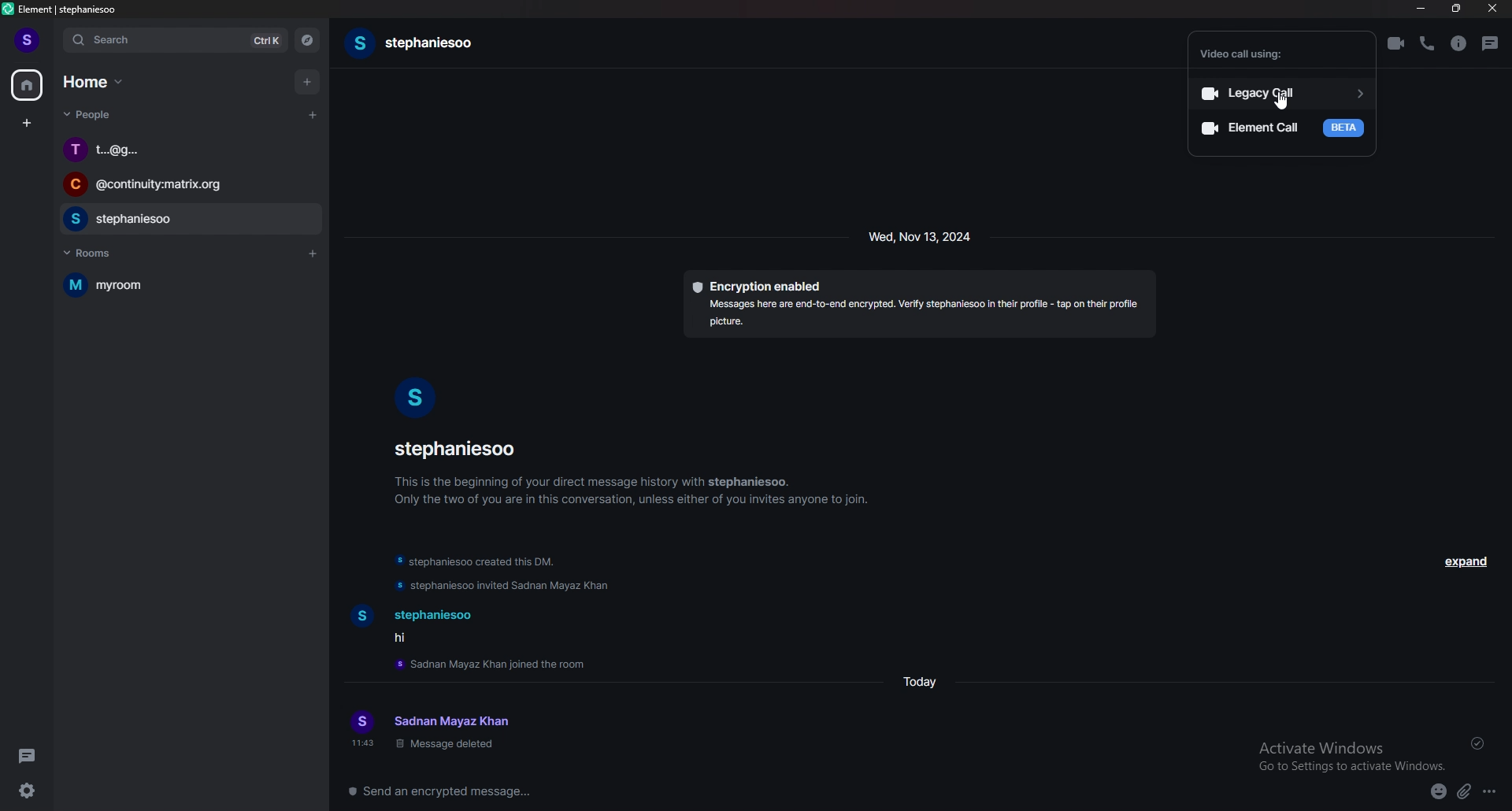 The height and width of the screenshot is (811, 1512). I want to click on Activate Windows, so click(1346, 751).